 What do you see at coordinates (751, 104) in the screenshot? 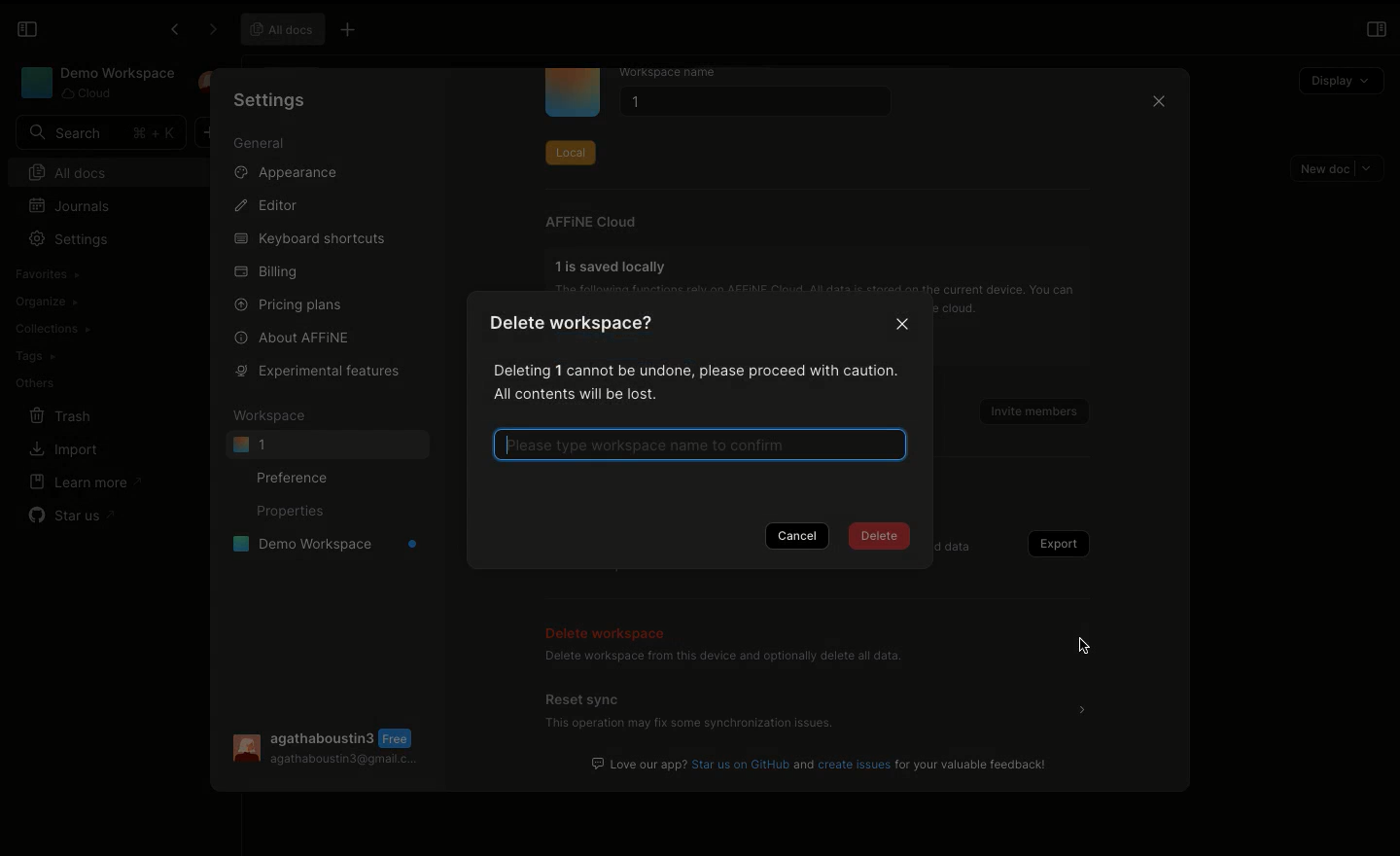
I see `1` at bounding box center [751, 104].